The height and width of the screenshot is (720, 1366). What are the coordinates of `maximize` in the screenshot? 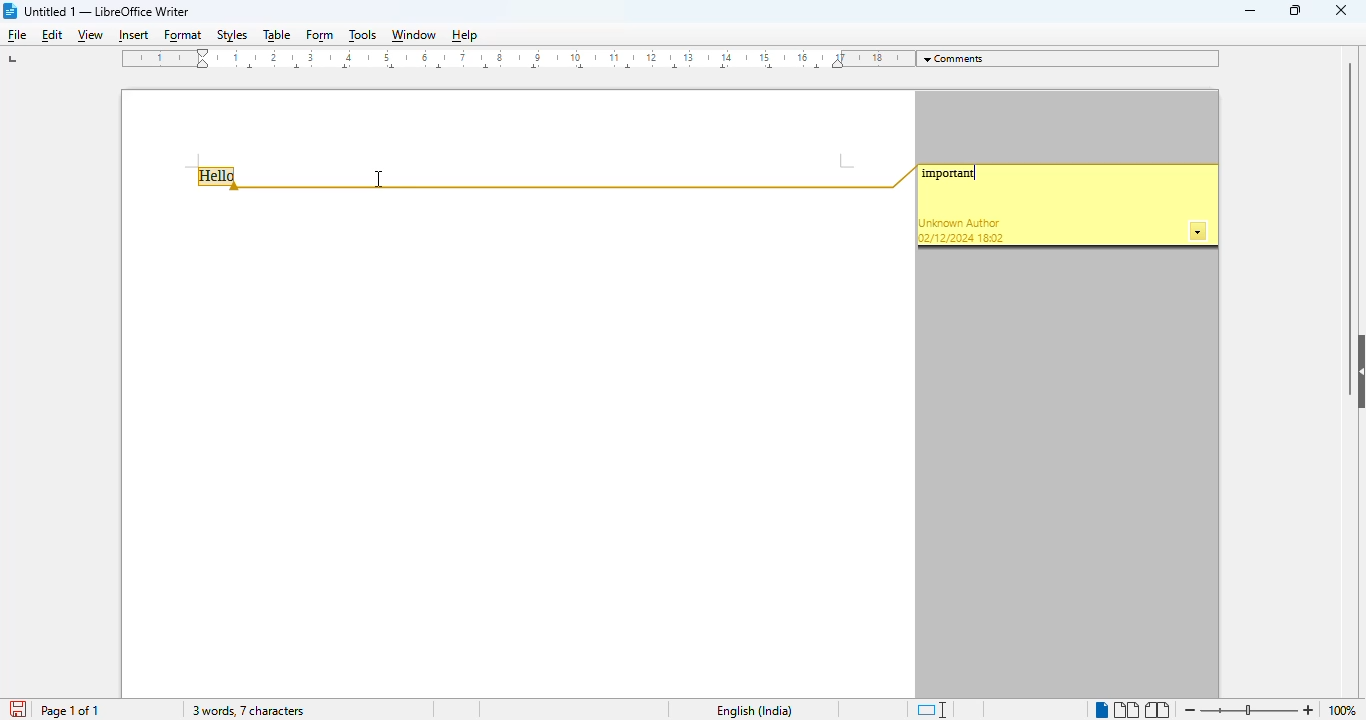 It's located at (1295, 9).